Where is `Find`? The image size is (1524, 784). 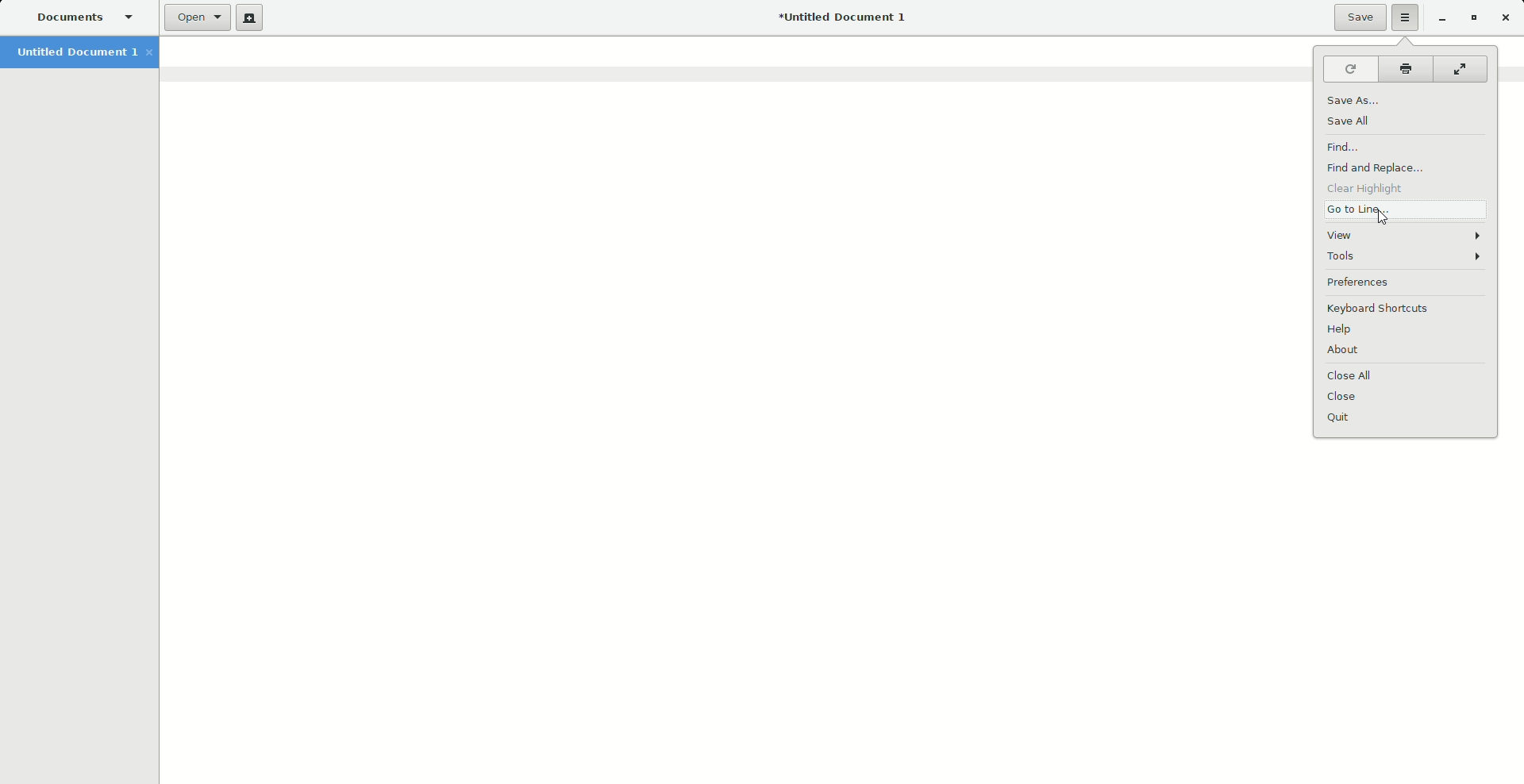
Find is located at coordinates (1346, 148).